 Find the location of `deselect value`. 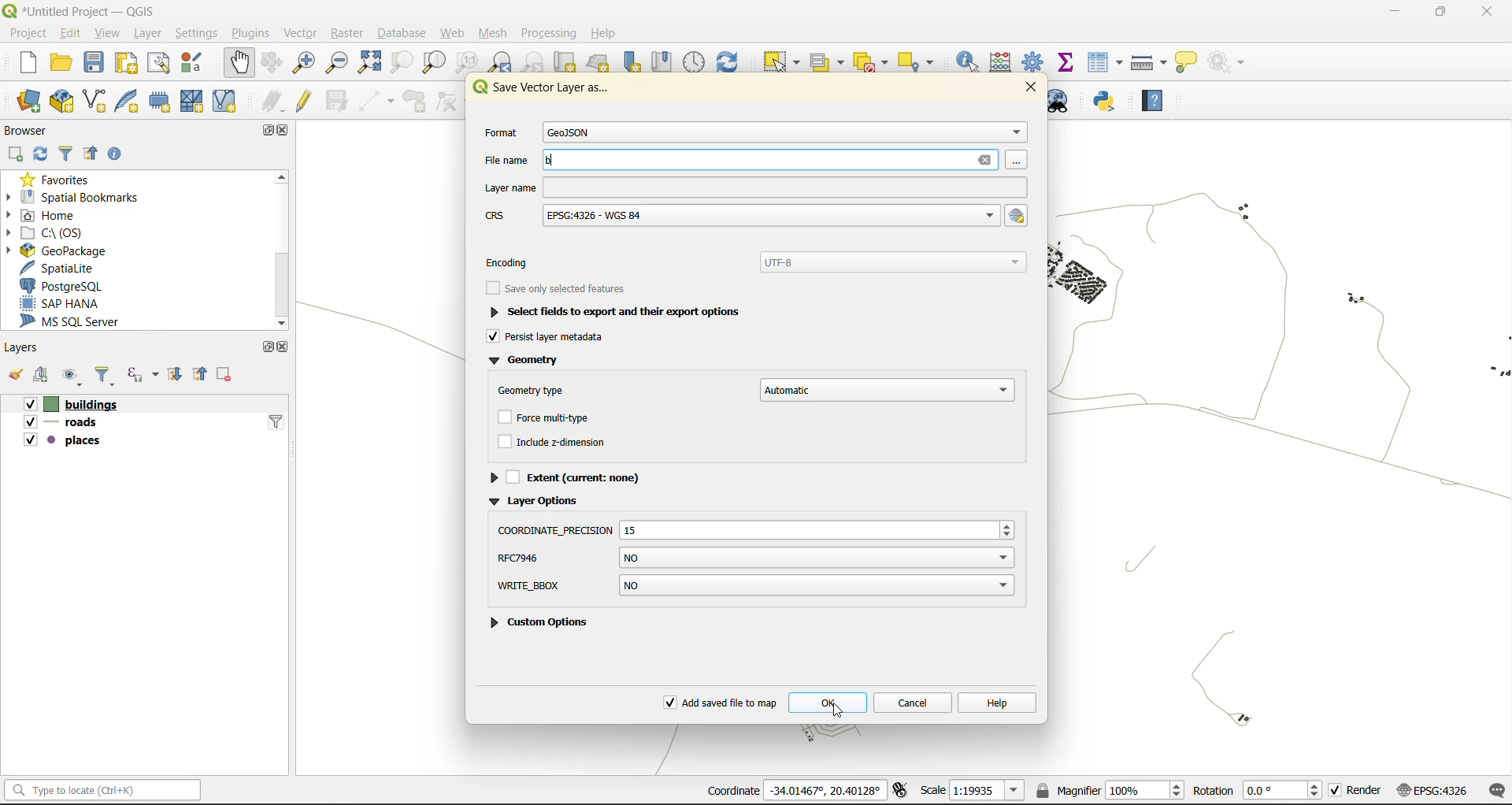

deselect value is located at coordinates (874, 63).